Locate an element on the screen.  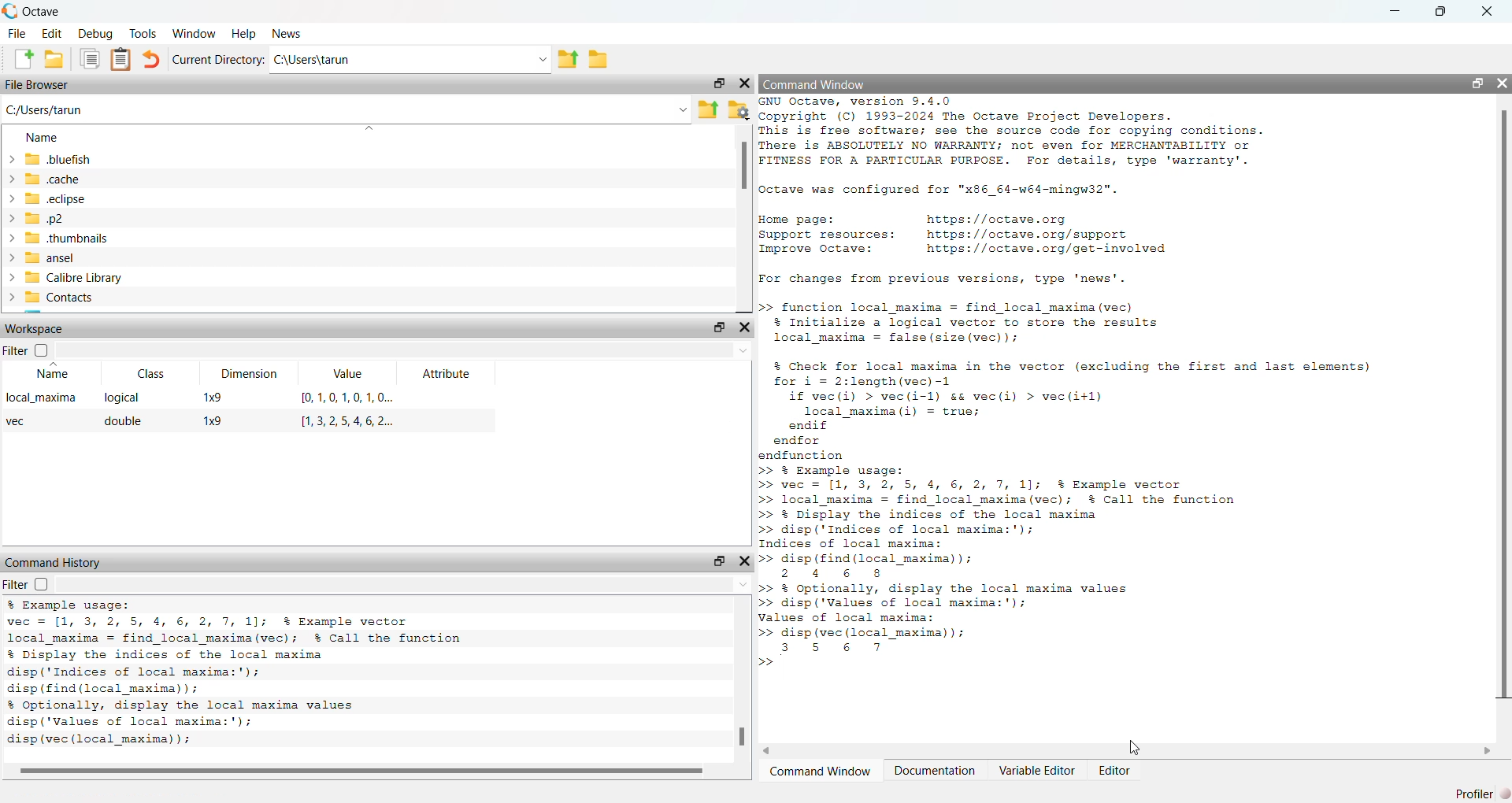
Workspace is located at coordinates (35, 329).